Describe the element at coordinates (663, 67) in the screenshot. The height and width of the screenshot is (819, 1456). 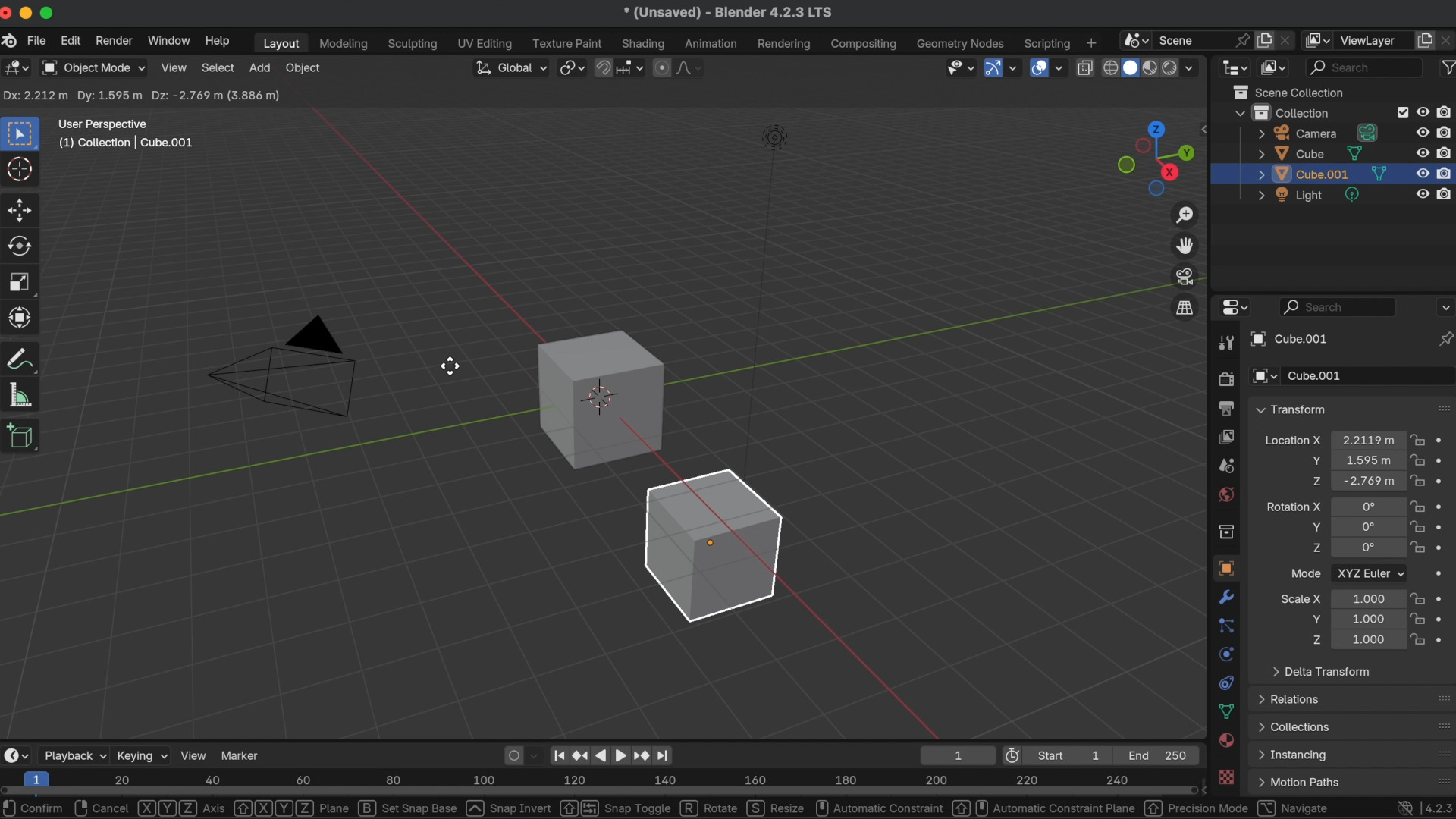
I see `proportional editing objects` at that location.